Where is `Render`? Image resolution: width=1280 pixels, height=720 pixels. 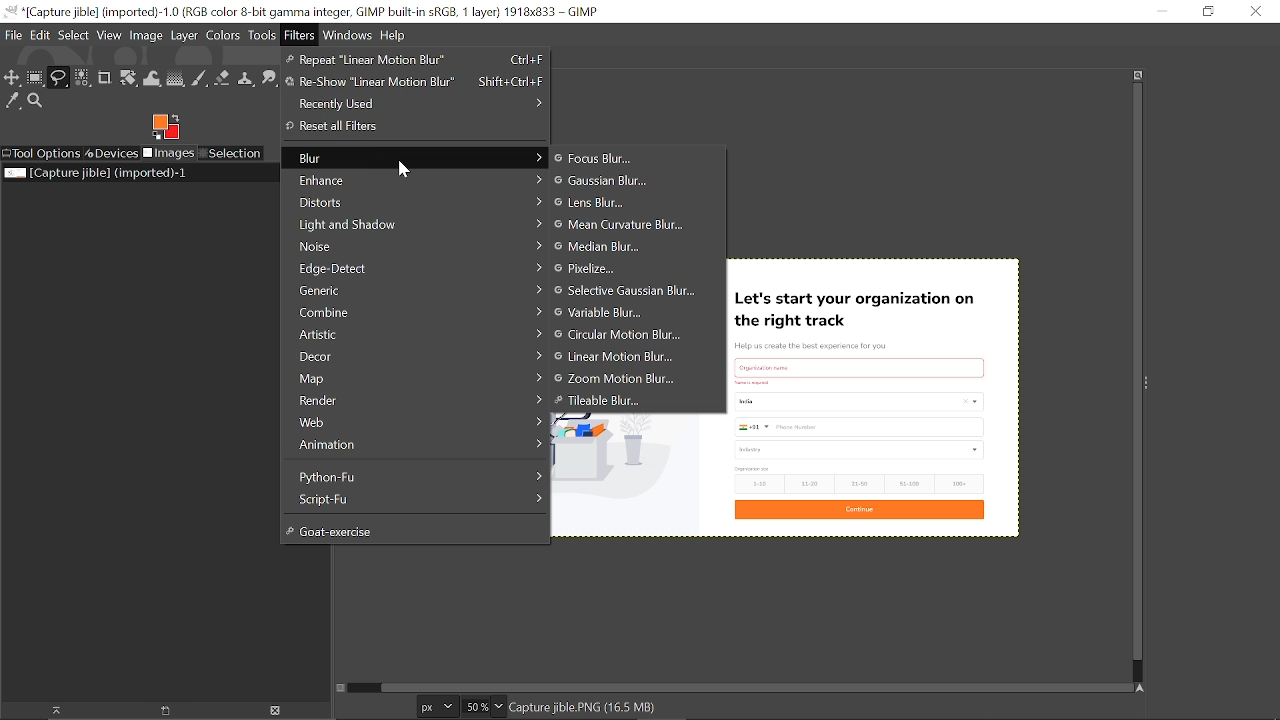
Render is located at coordinates (415, 401).